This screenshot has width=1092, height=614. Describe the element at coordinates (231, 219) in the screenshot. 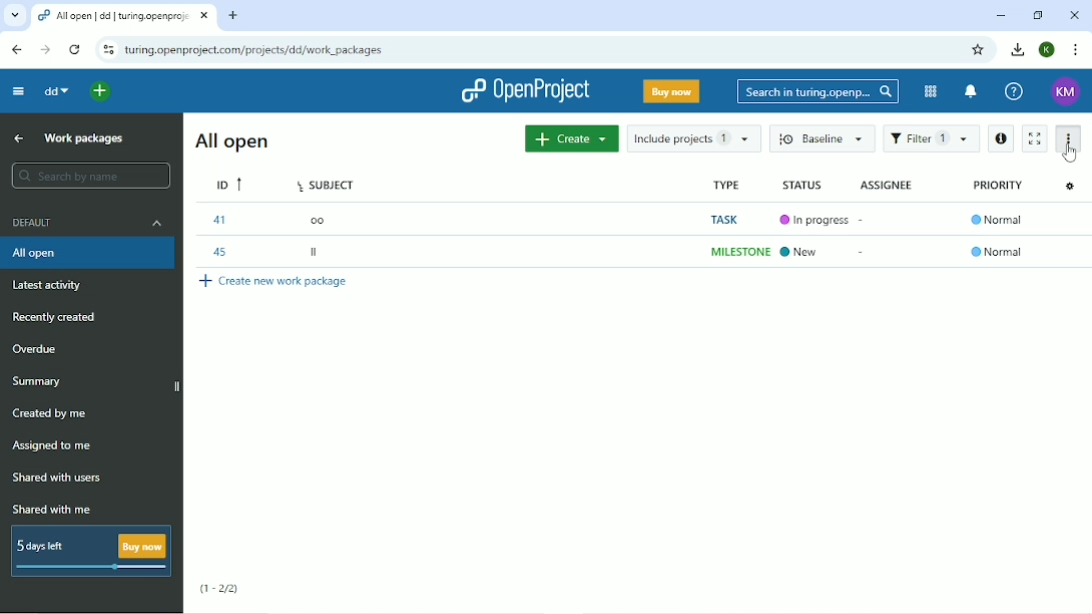

I see `ID` at that location.